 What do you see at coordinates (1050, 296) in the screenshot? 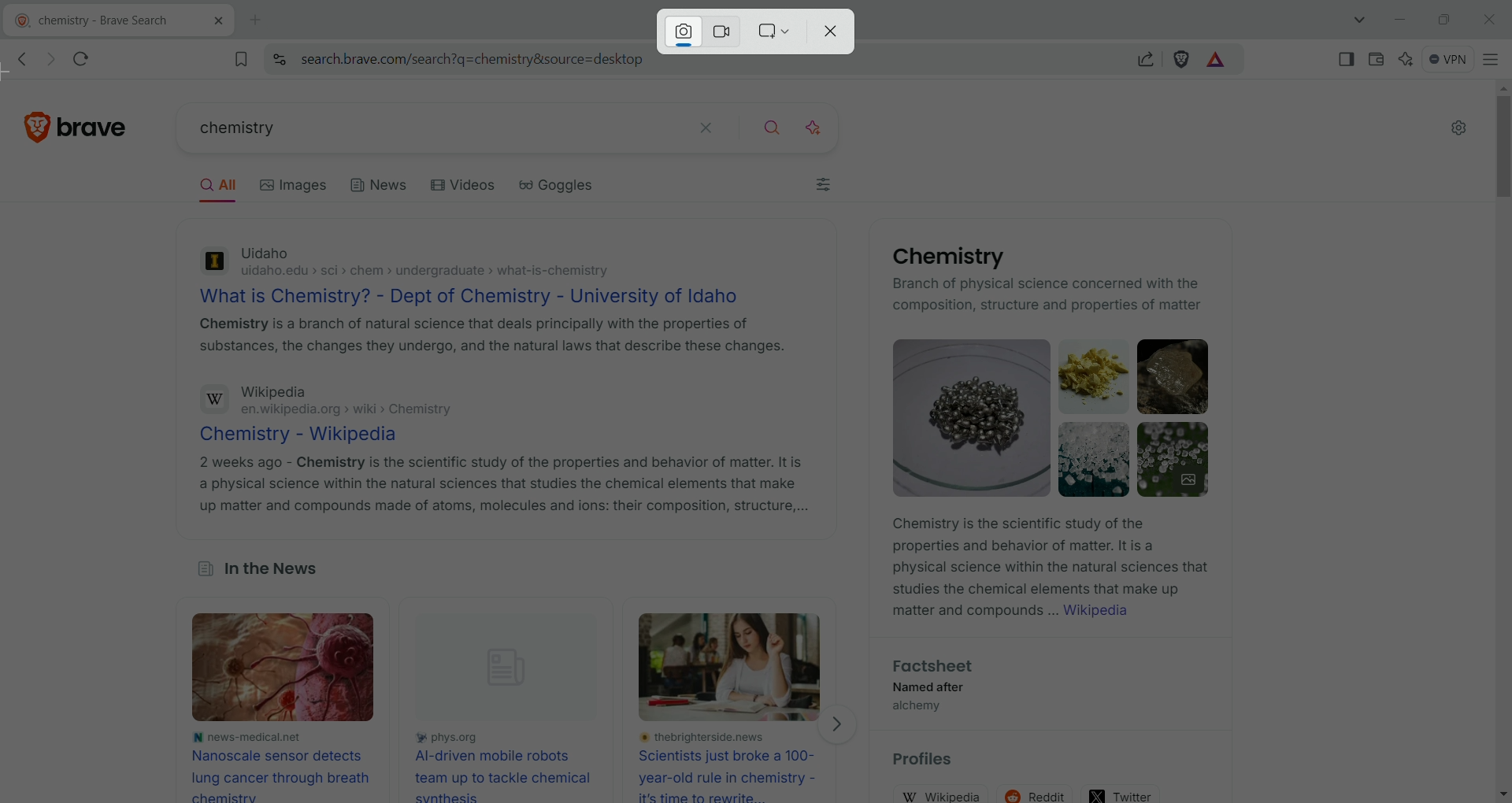
I see `branch of physical science concerned with the composition, structure and properties of matter` at bounding box center [1050, 296].